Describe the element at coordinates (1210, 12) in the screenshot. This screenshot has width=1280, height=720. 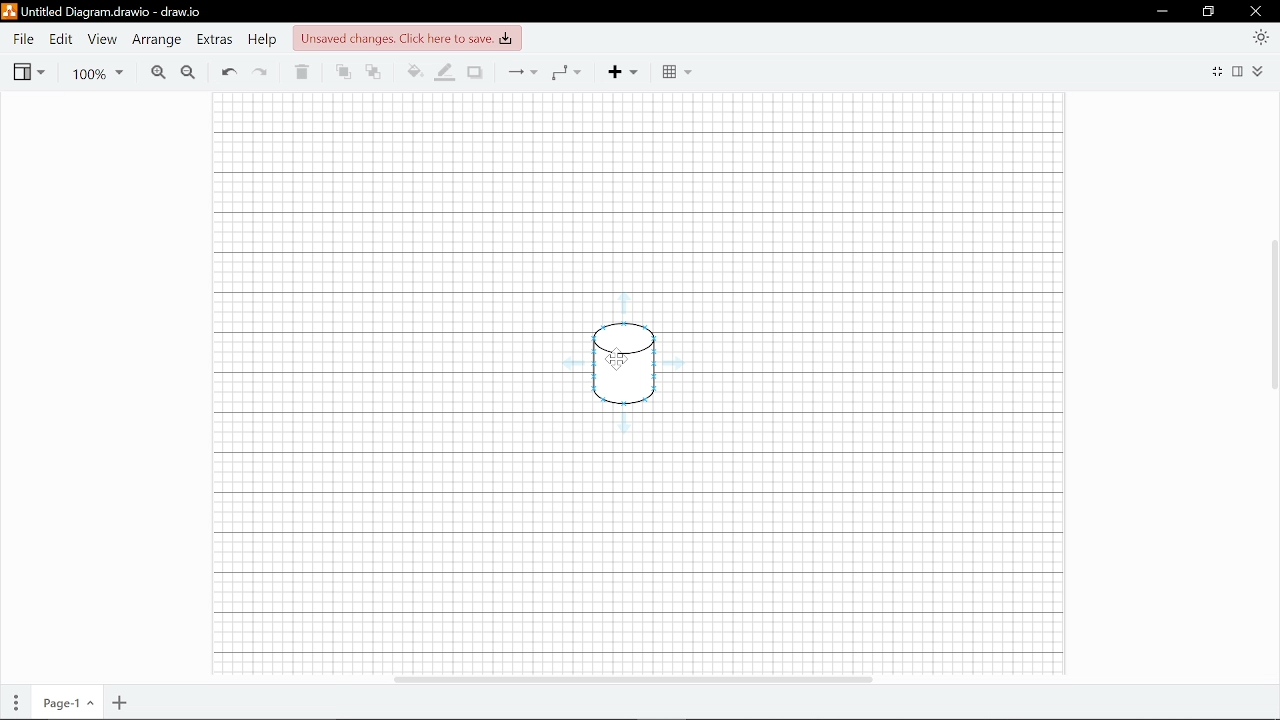
I see `Restore down` at that location.